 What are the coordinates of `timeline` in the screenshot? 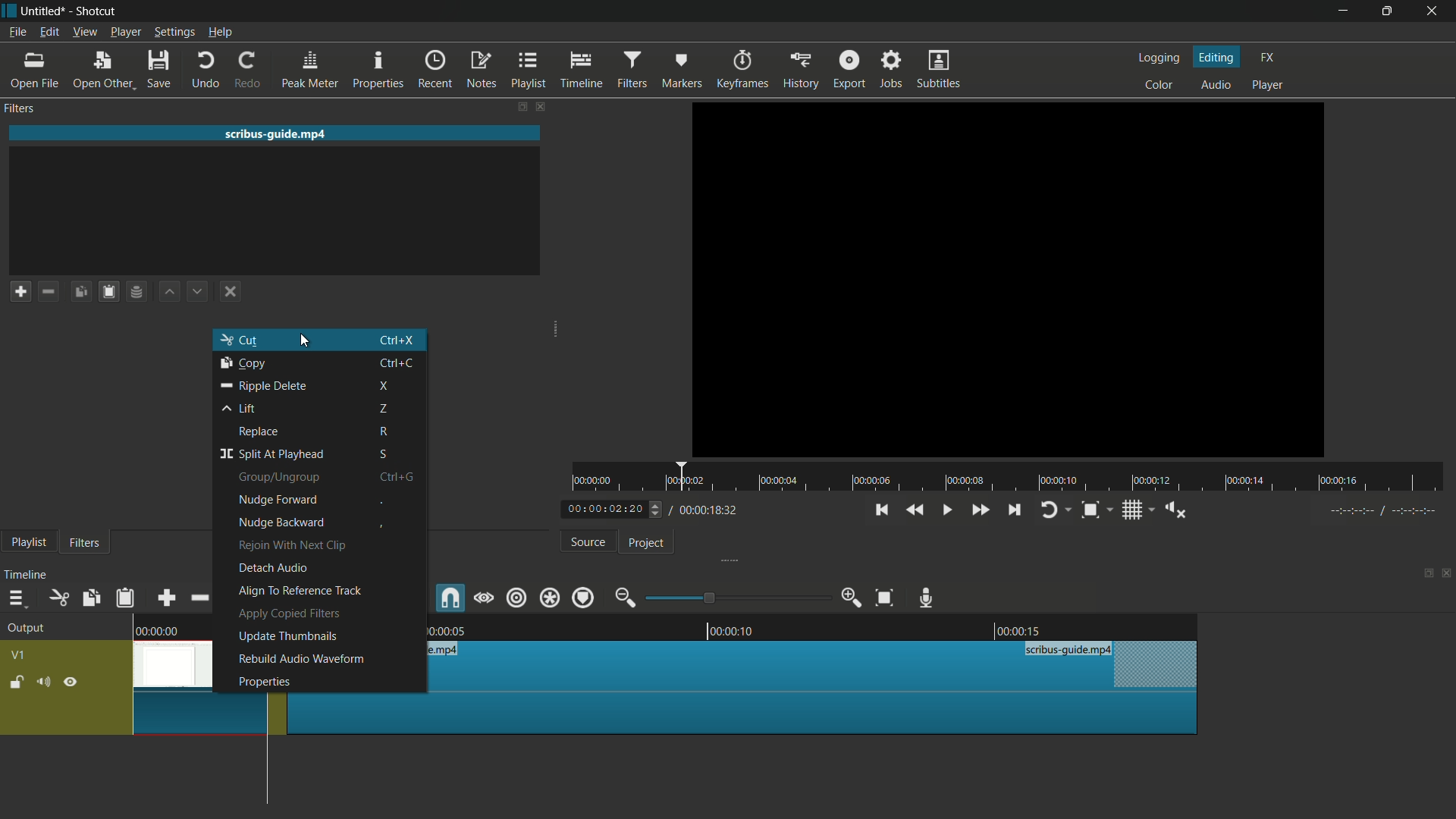 It's located at (583, 70).